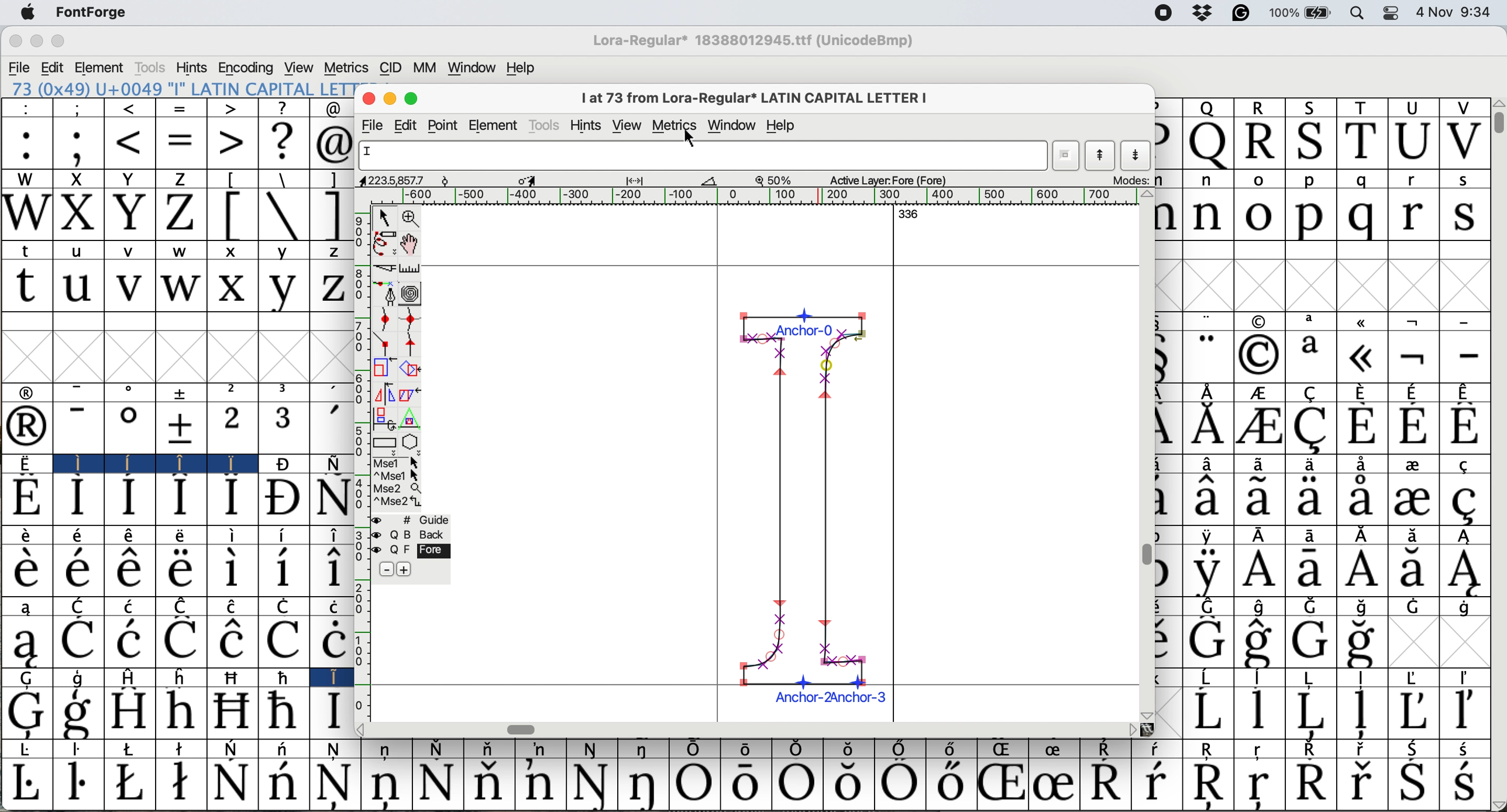  I want to click on Symbol, so click(280, 499).